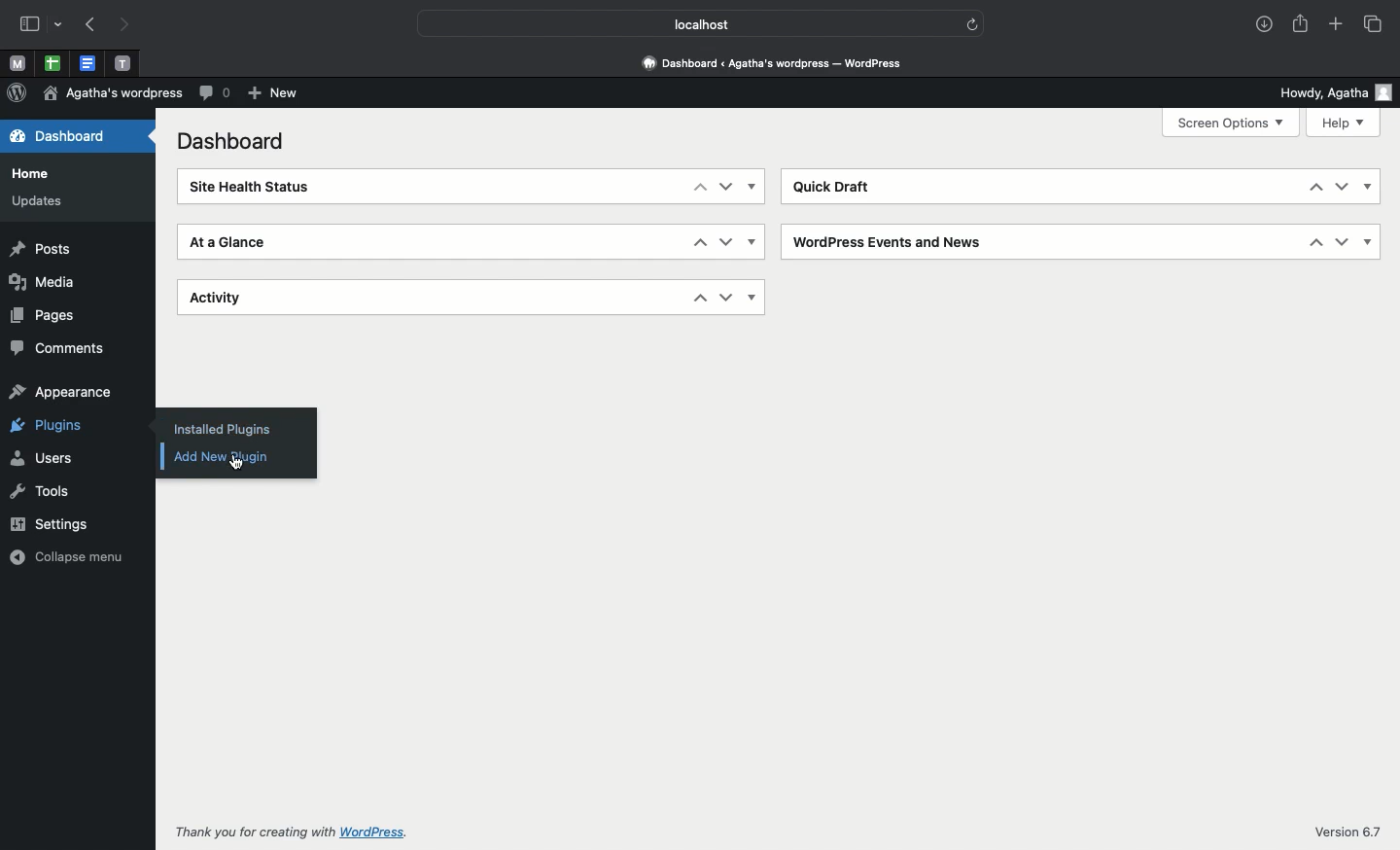  Describe the element at coordinates (63, 560) in the screenshot. I see `Collapse menu` at that location.